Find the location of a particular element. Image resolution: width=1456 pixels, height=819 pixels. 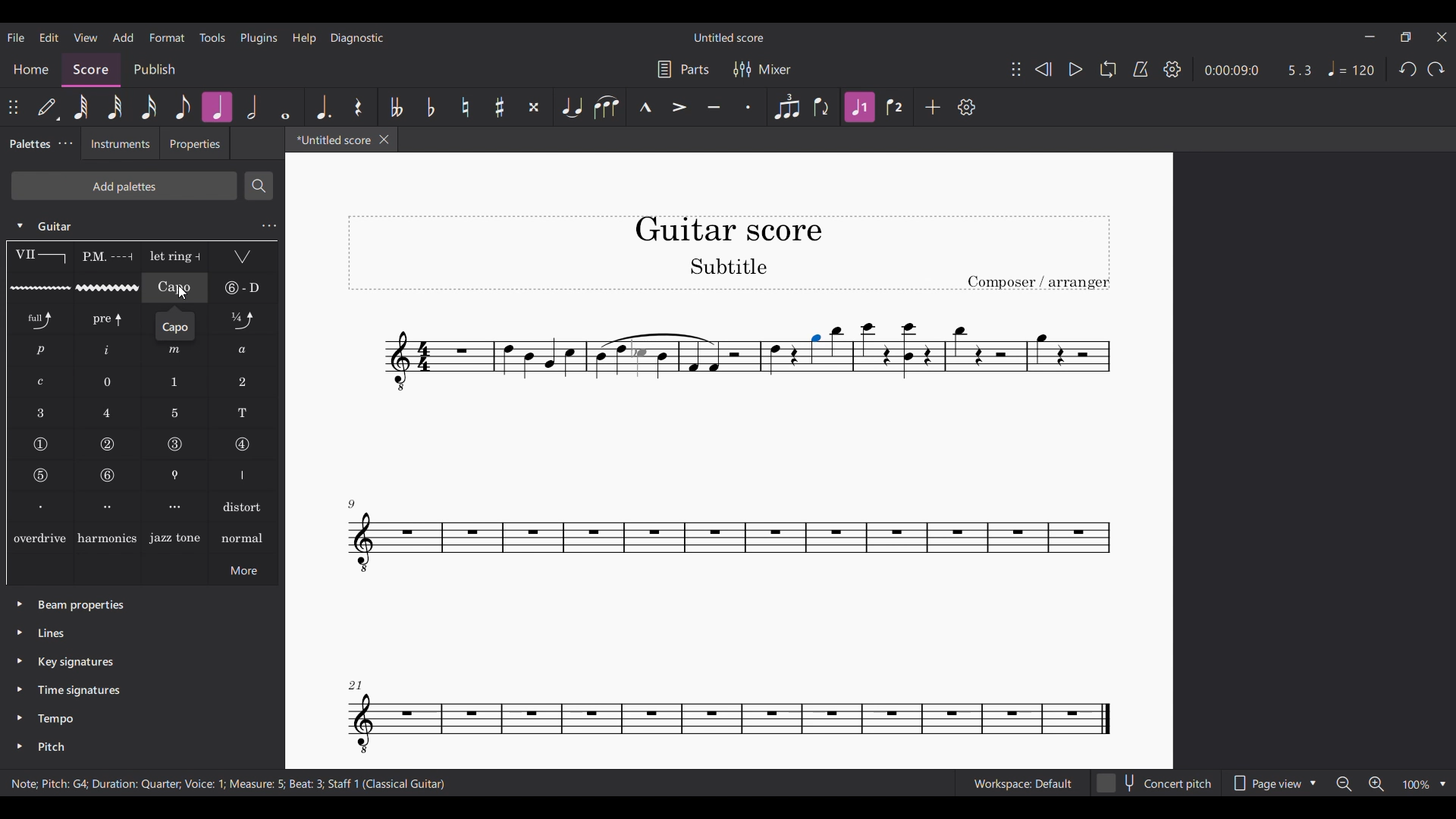

Current tab is located at coordinates (330, 140).